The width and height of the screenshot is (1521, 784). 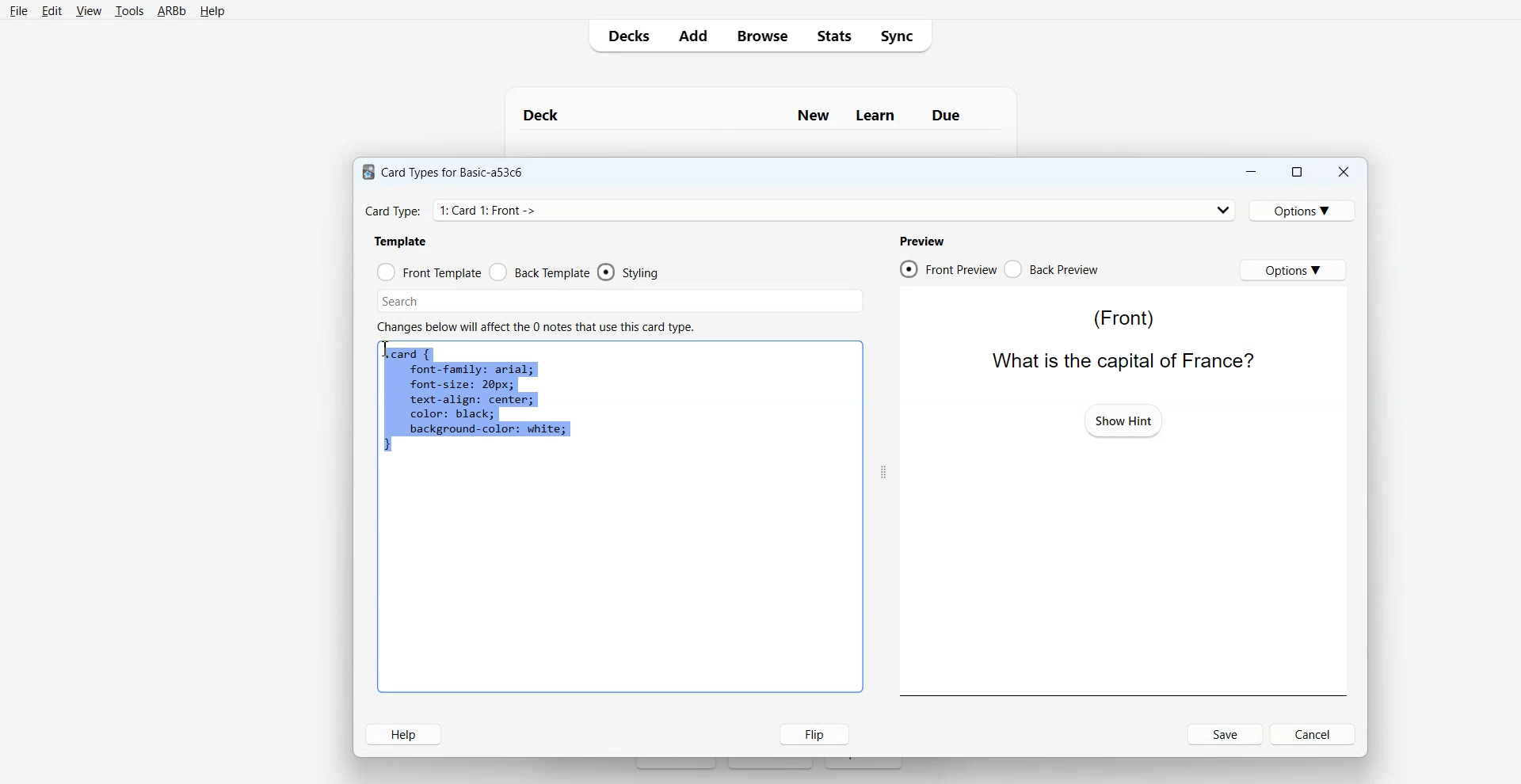 I want to click on Stats, so click(x=833, y=35).